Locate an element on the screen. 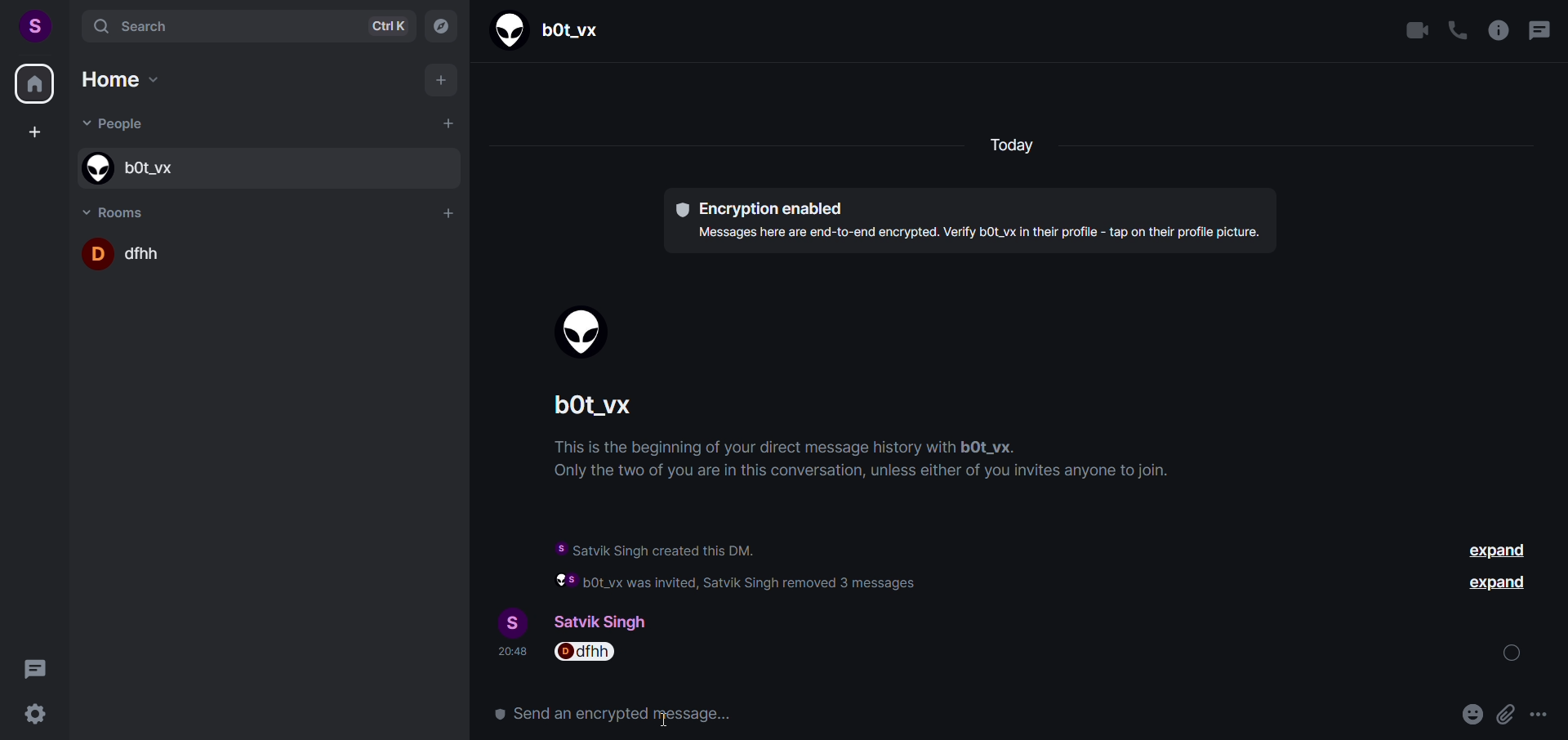 The height and width of the screenshot is (740, 1568). expand is located at coordinates (1498, 587).